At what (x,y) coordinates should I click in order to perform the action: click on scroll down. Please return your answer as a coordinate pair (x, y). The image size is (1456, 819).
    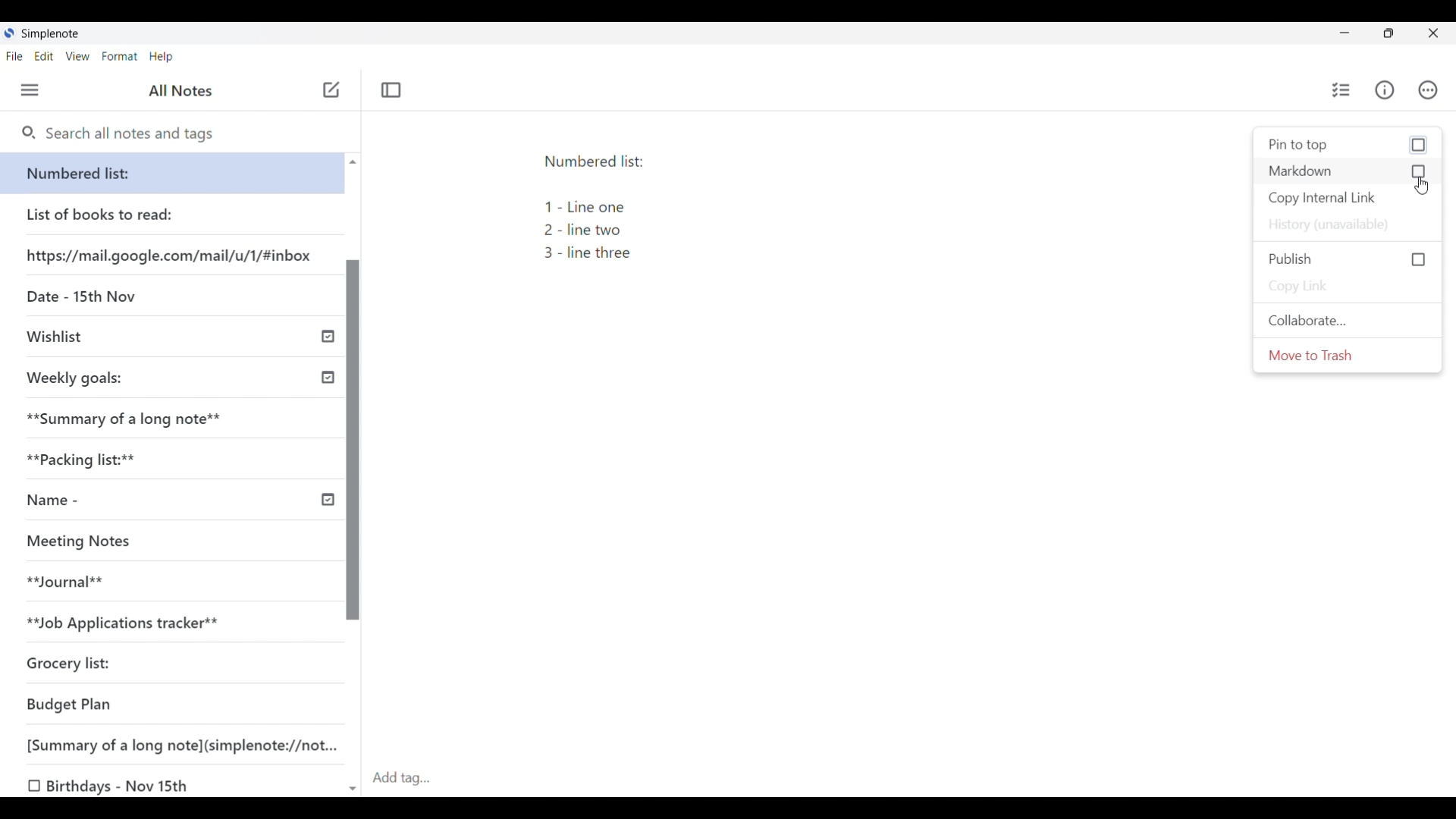
    Looking at the image, I should click on (356, 785).